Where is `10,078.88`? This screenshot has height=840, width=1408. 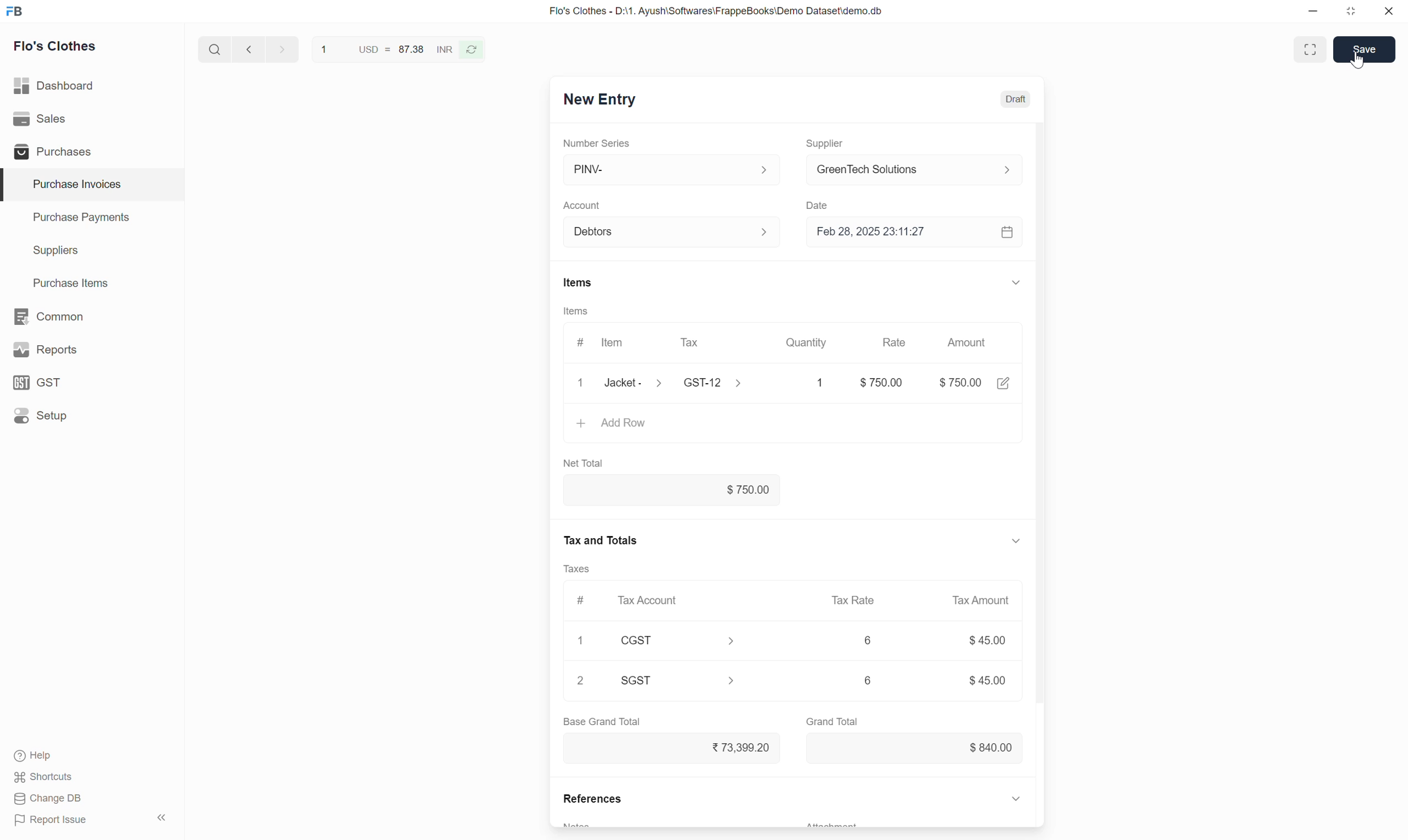
10,078.88 is located at coordinates (672, 748).